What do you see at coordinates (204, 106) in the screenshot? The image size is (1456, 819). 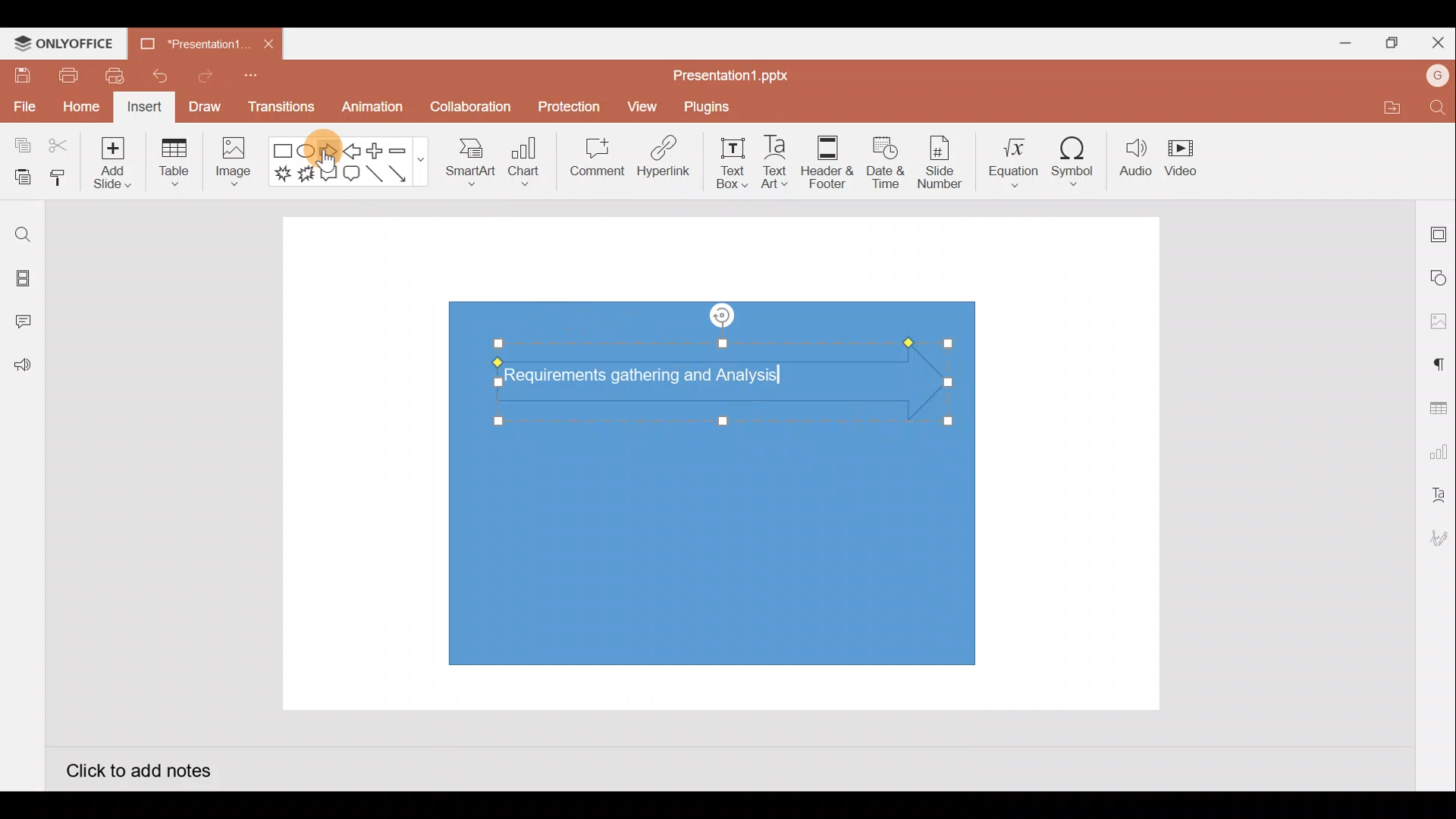 I see `Draw` at bounding box center [204, 106].